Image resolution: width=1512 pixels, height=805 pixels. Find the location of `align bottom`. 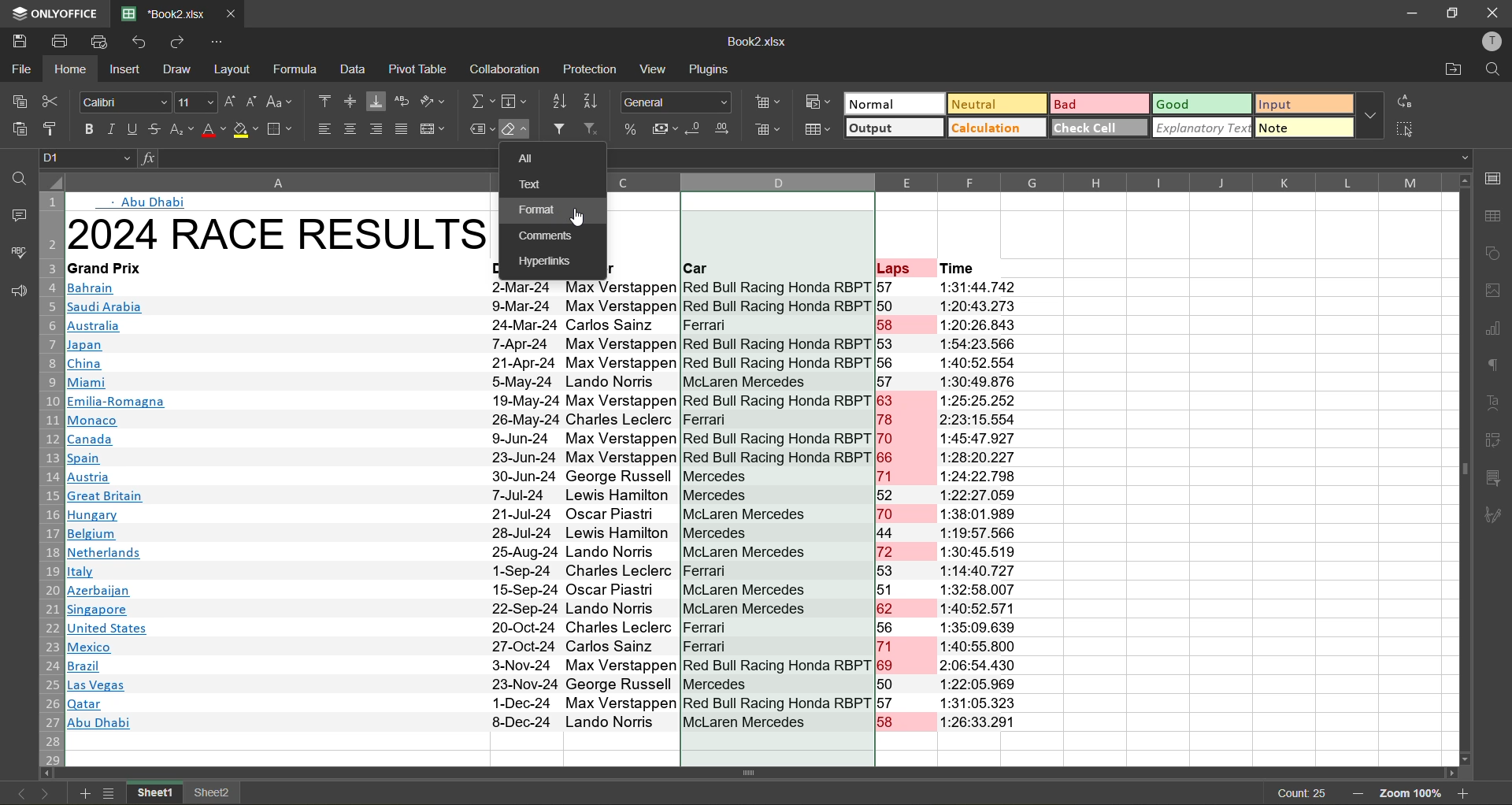

align bottom is located at coordinates (377, 103).